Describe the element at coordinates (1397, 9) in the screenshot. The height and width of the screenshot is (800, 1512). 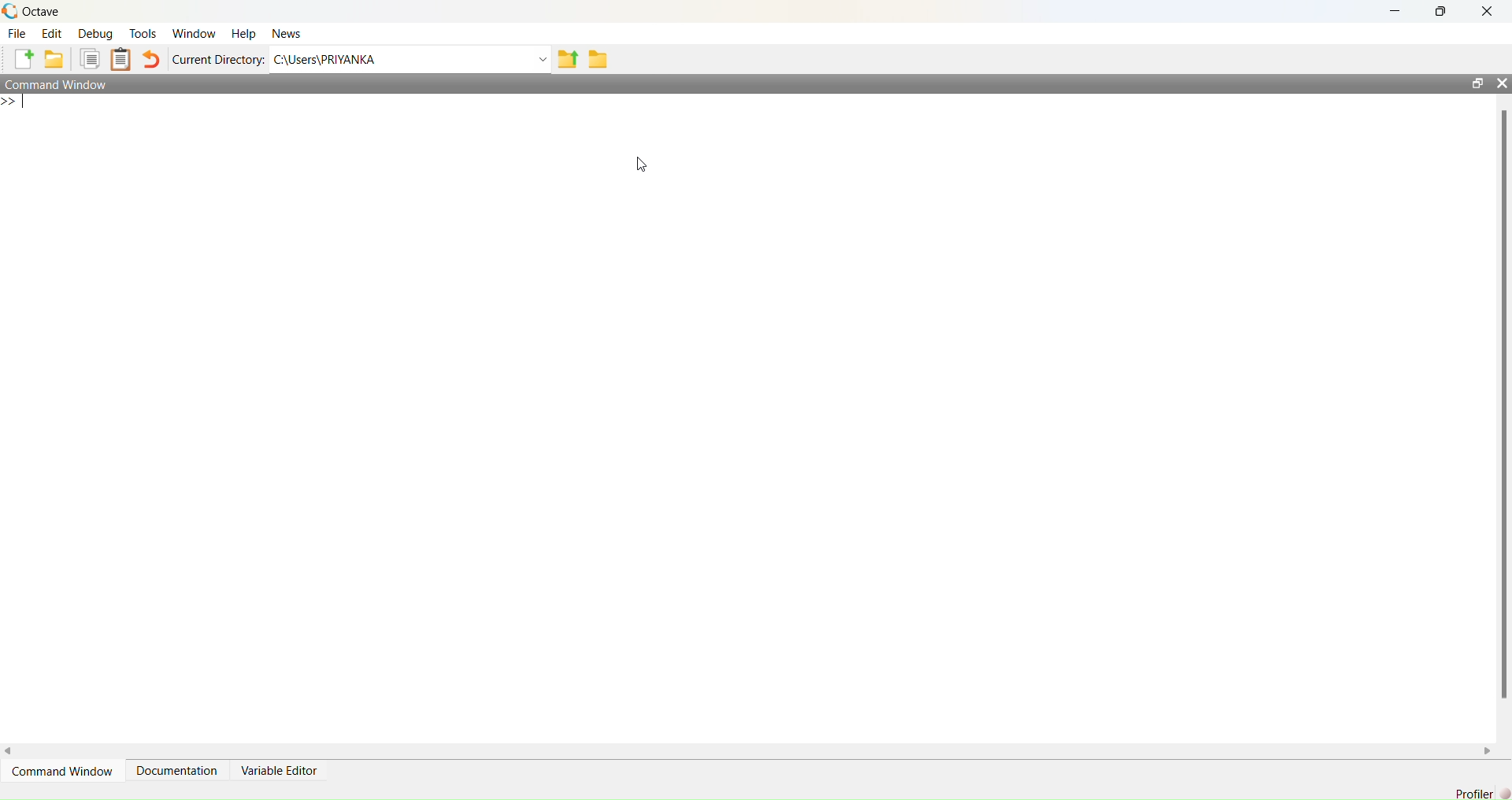
I see `minimise` at that location.